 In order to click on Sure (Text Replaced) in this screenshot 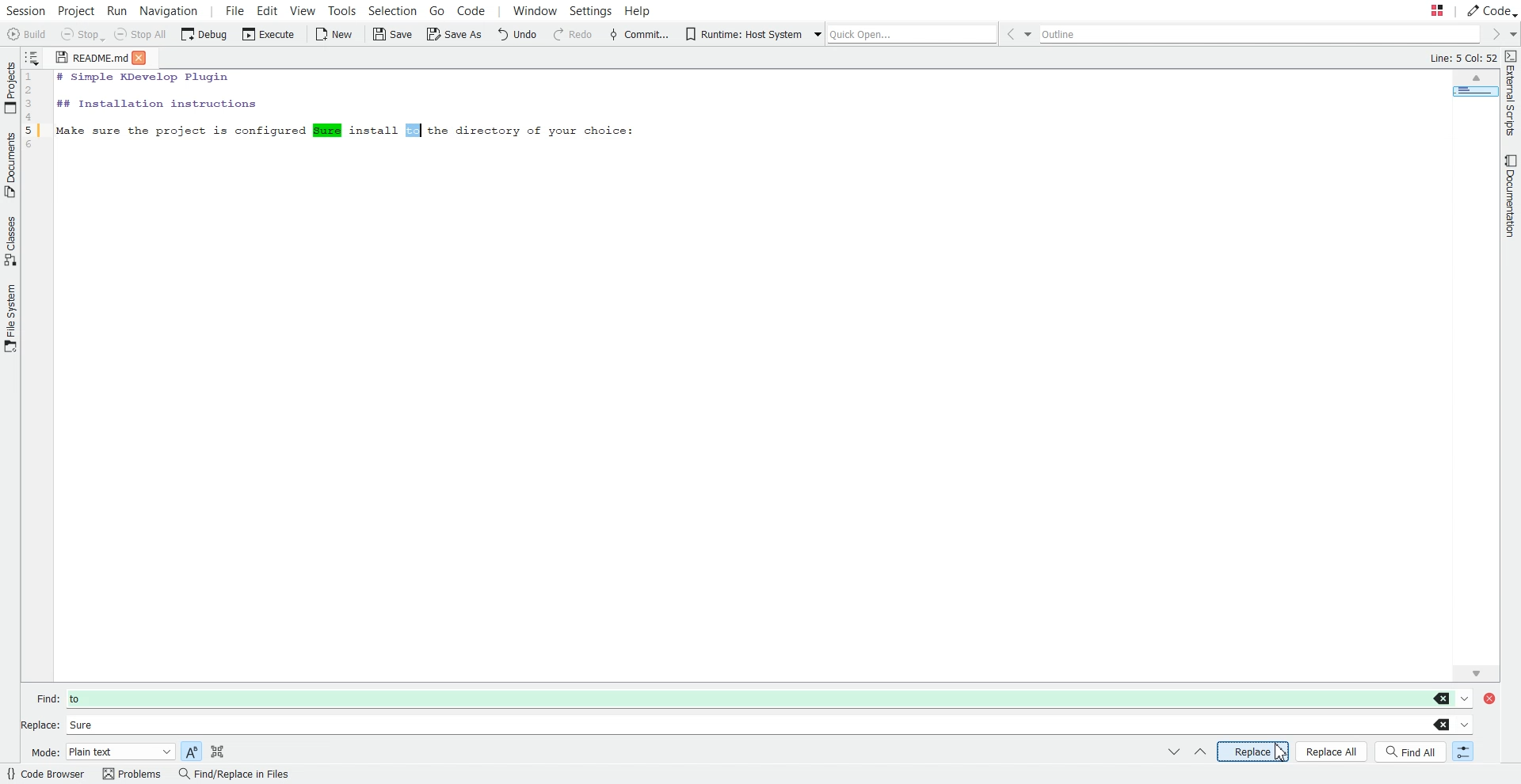, I will do `click(327, 130)`.